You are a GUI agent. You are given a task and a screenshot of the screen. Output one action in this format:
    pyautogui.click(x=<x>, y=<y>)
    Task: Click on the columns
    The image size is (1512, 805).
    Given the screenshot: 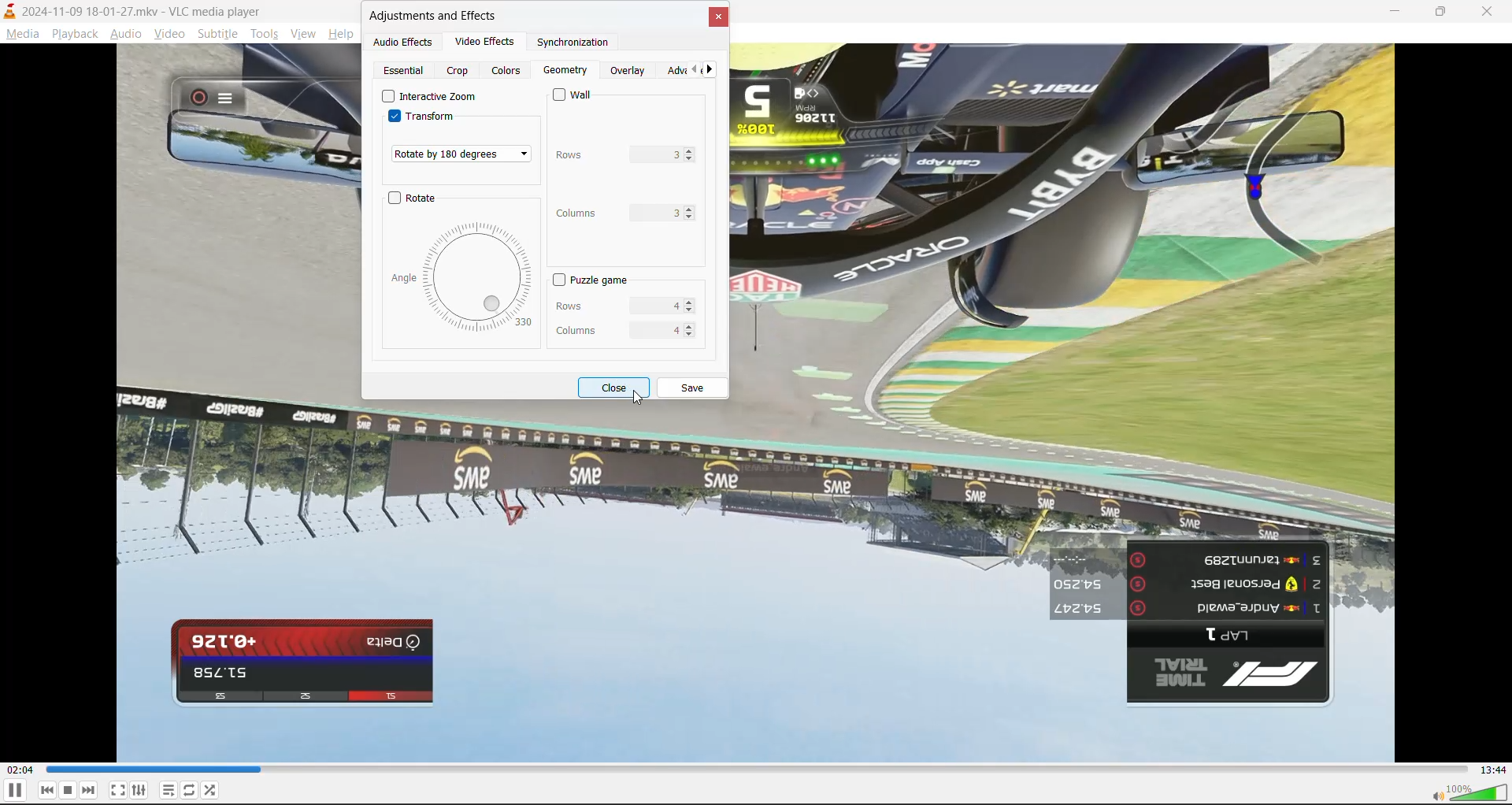 What is the action you would take?
    pyautogui.click(x=612, y=328)
    